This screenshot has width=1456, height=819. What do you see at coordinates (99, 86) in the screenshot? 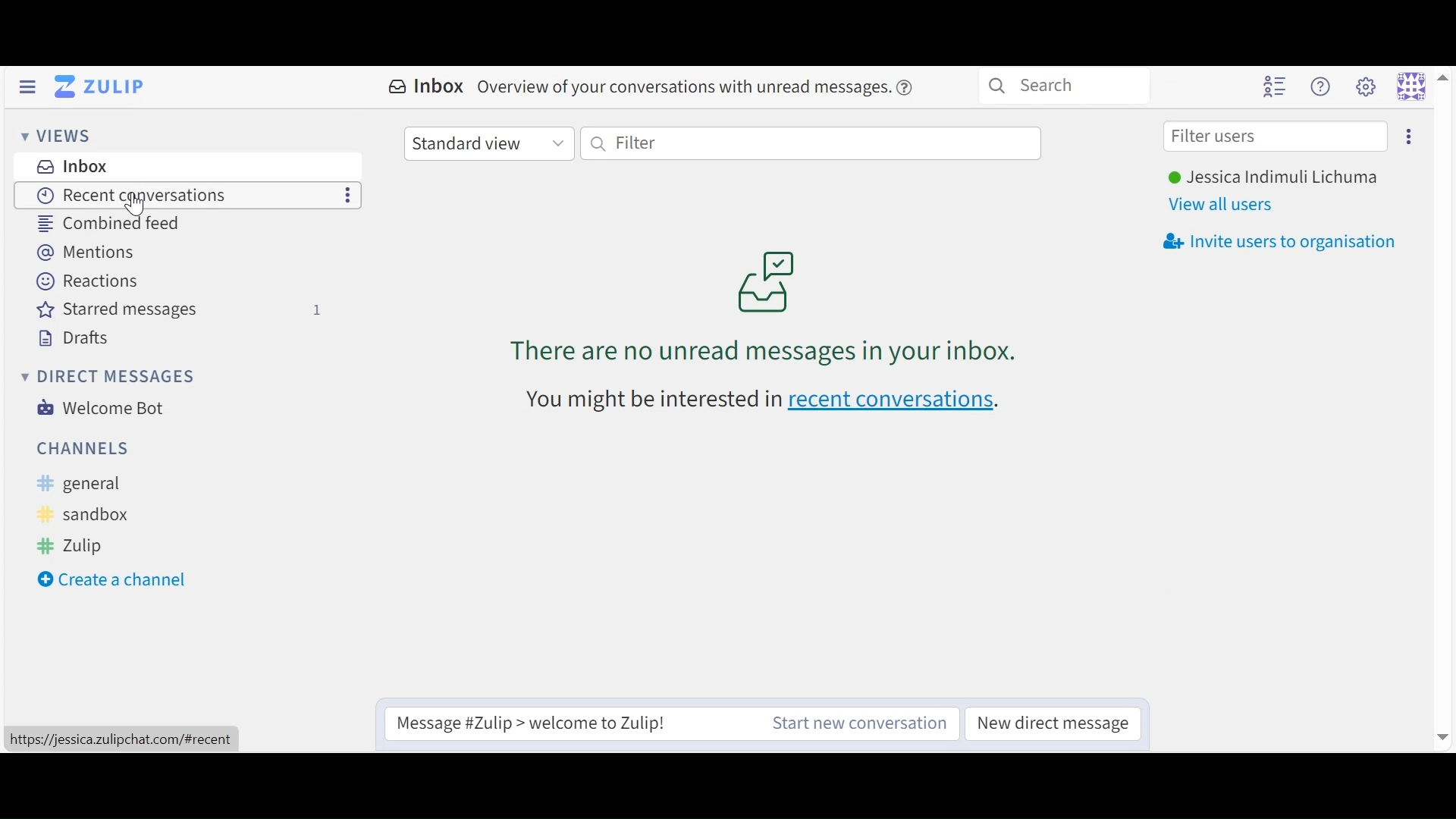
I see `Go to Home (Imbox)` at bounding box center [99, 86].